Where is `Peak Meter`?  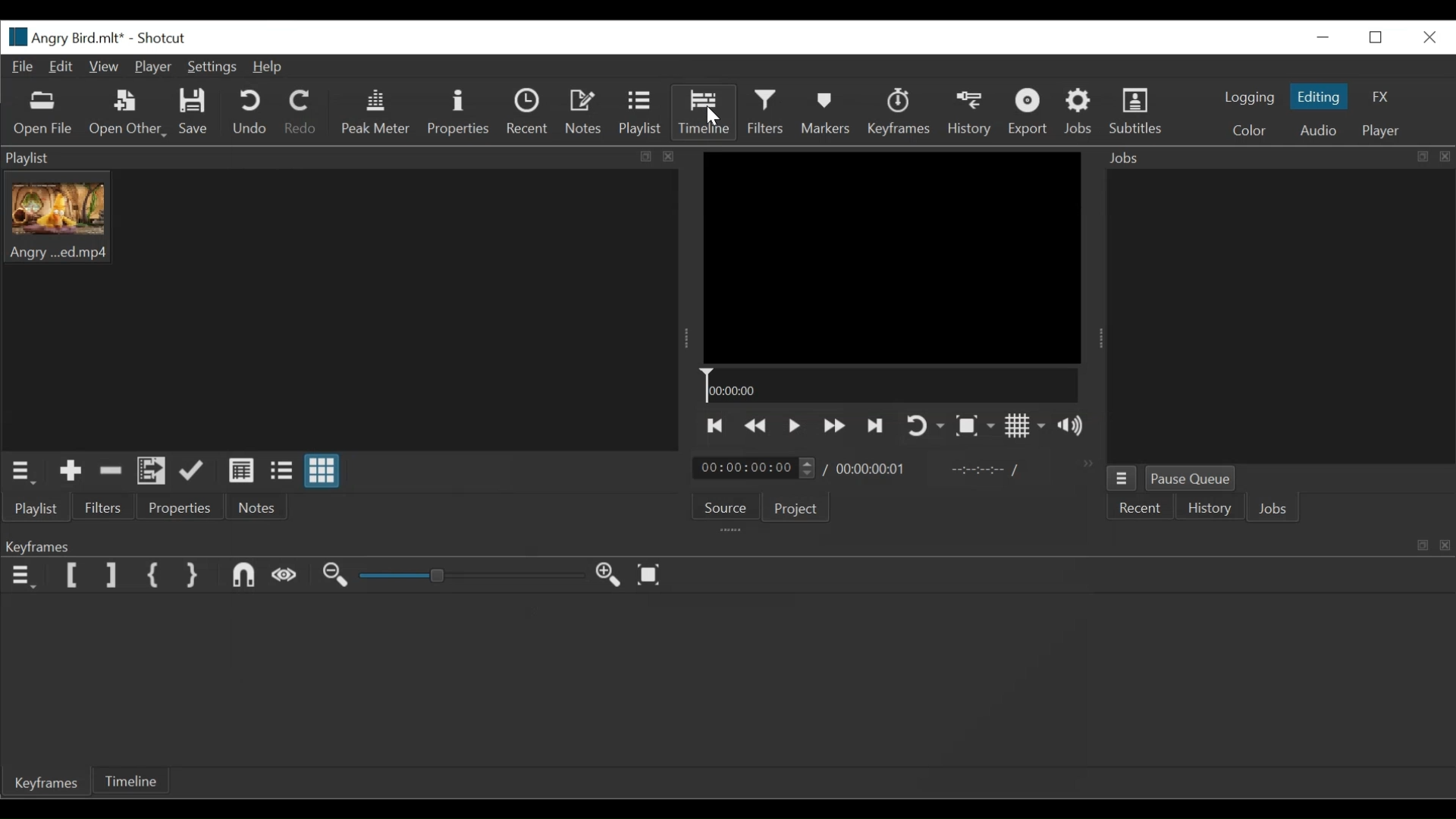 Peak Meter is located at coordinates (376, 113).